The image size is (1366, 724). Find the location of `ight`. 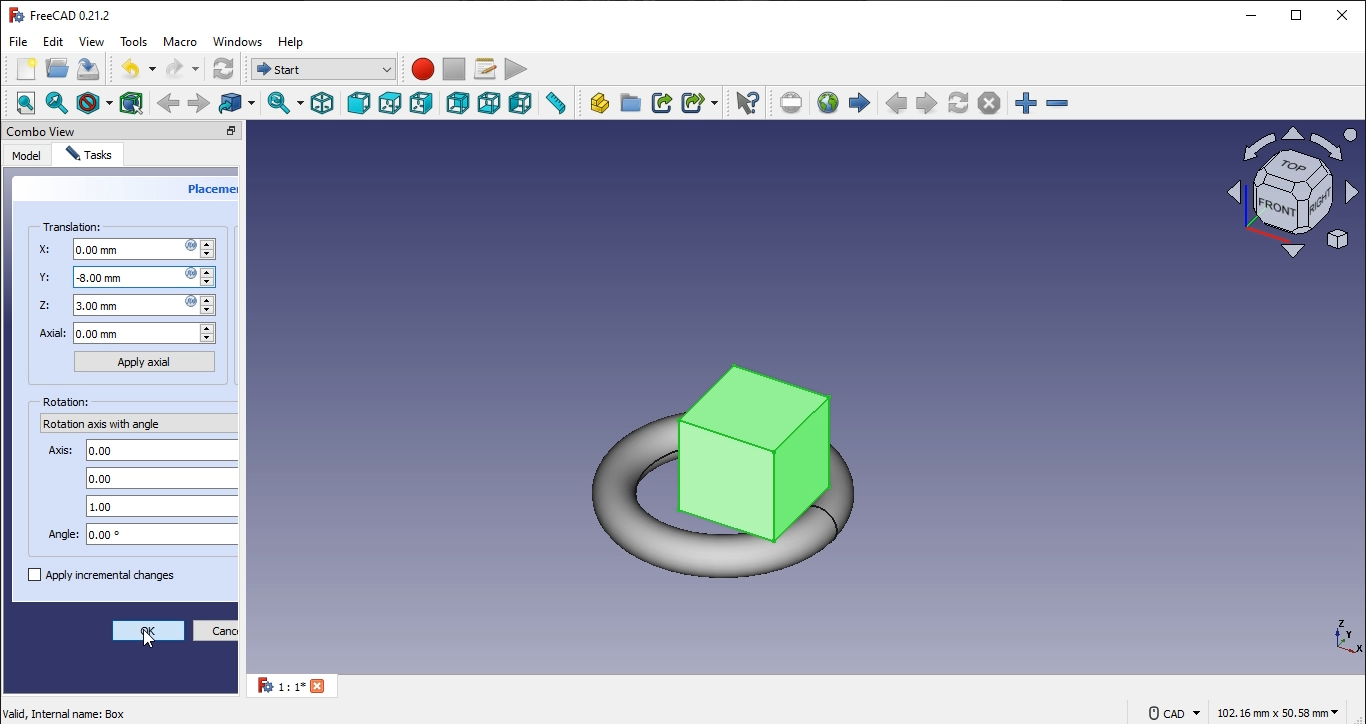

ight is located at coordinates (423, 105).